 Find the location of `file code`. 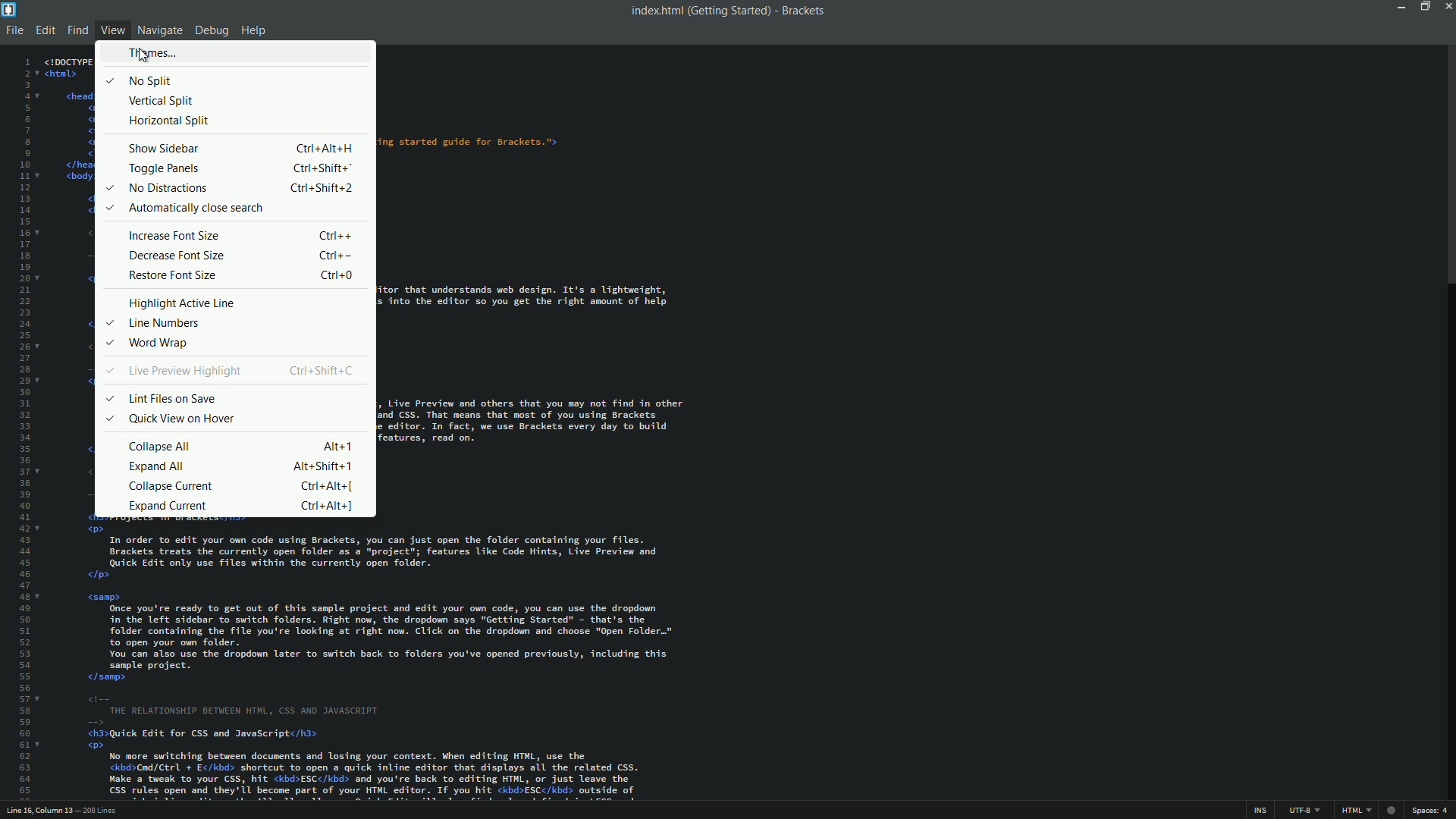

file code is located at coordinates (571, 427).